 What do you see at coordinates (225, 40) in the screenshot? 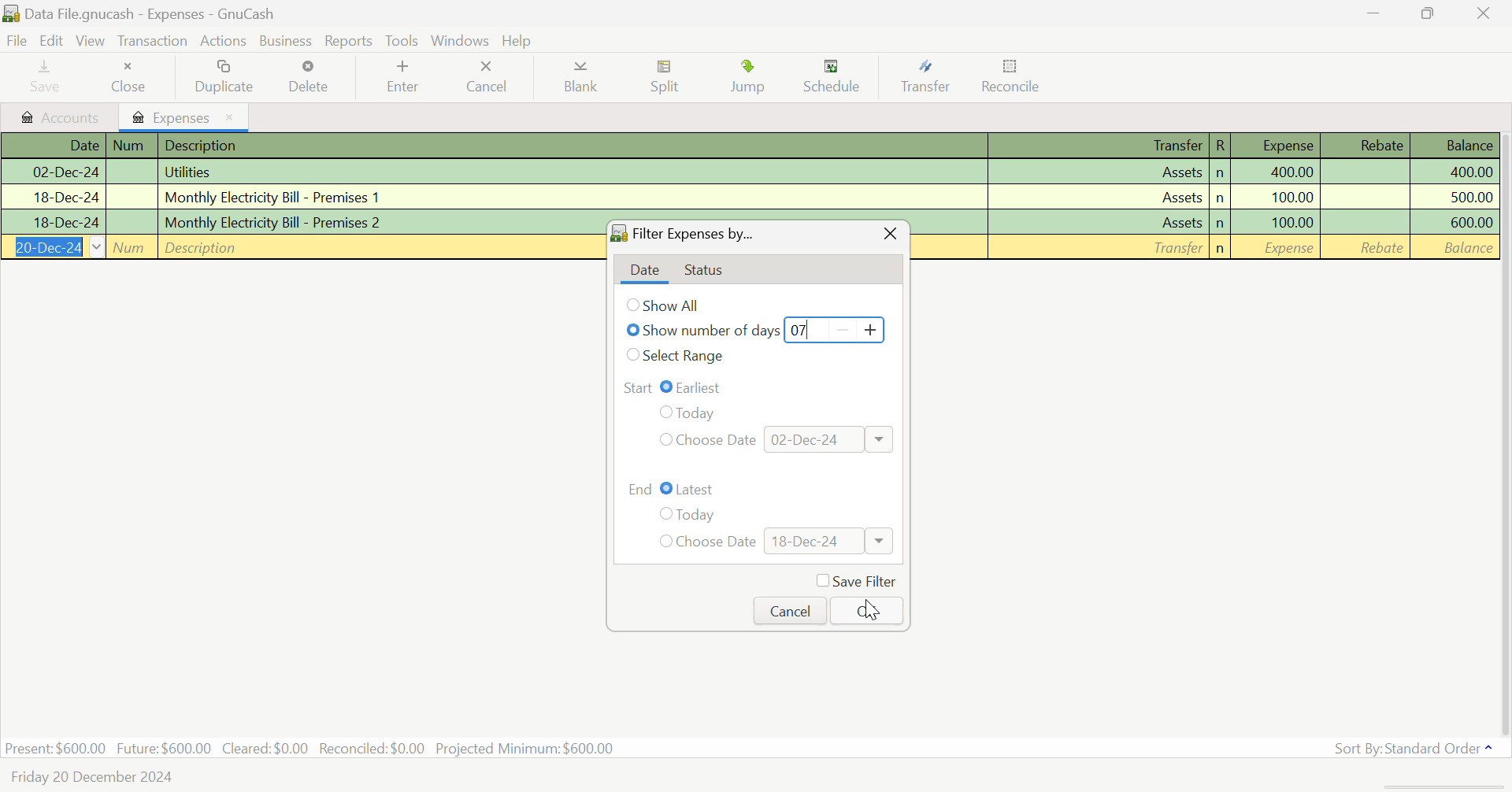
I see `Actions` at bounding box center [225, 40].